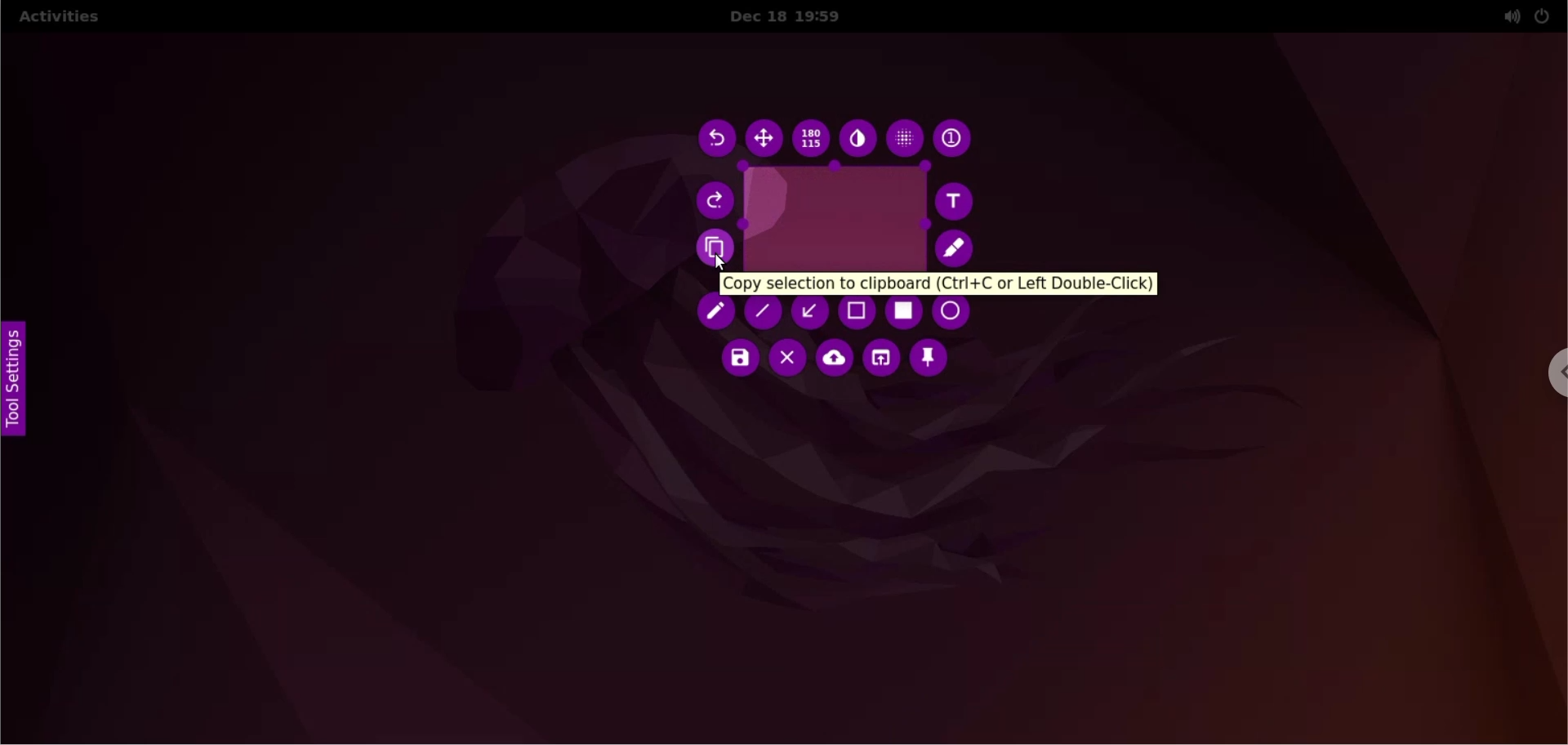  Describe the element at coordinates (812, 313) in the screenshot. I see `arrow as paint tool` at that location.